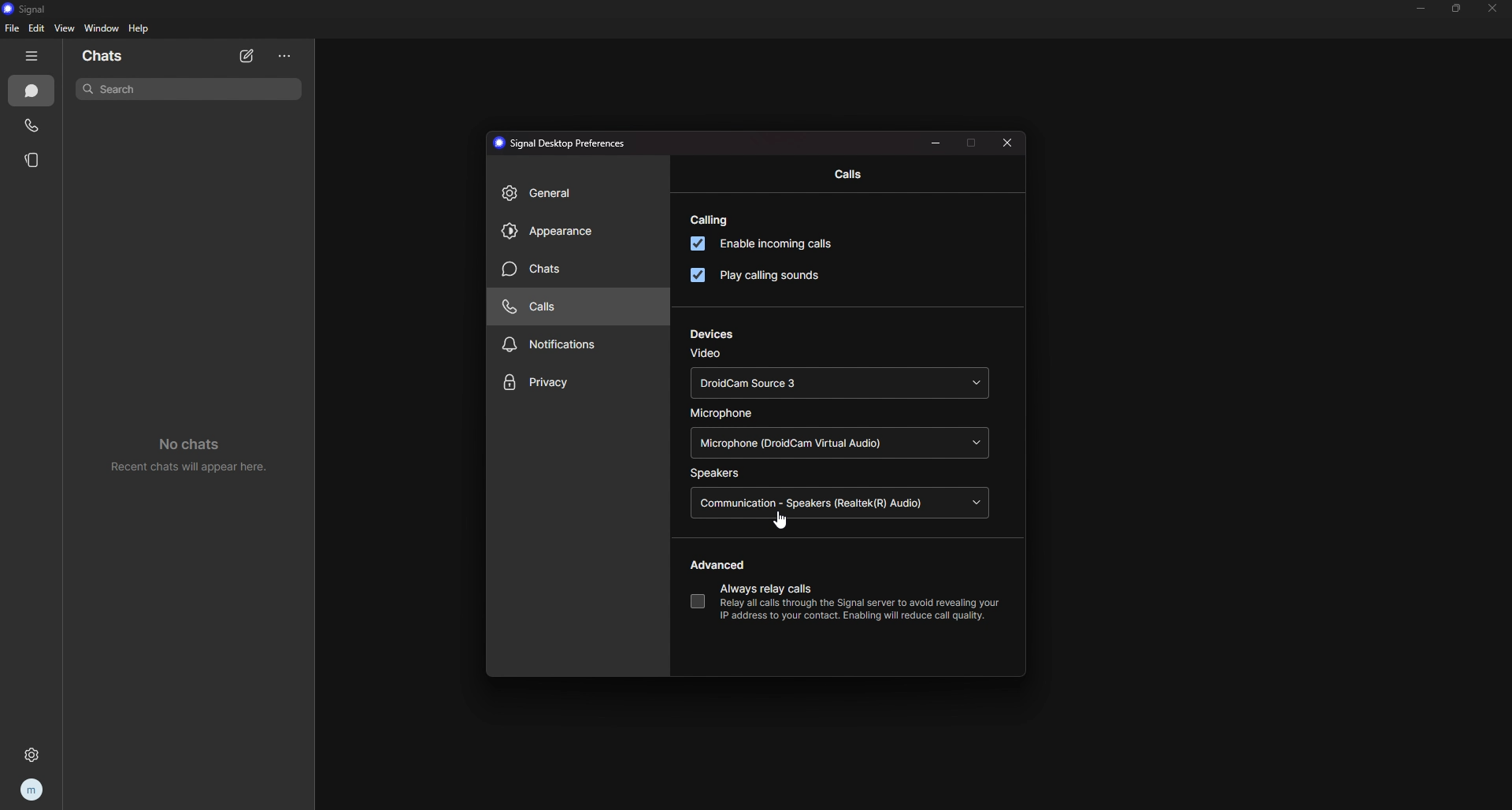  What do you see at coordinates (770, 244) in the screenshot?
I see `enable incoming calls` at bounding box center [770, 244].